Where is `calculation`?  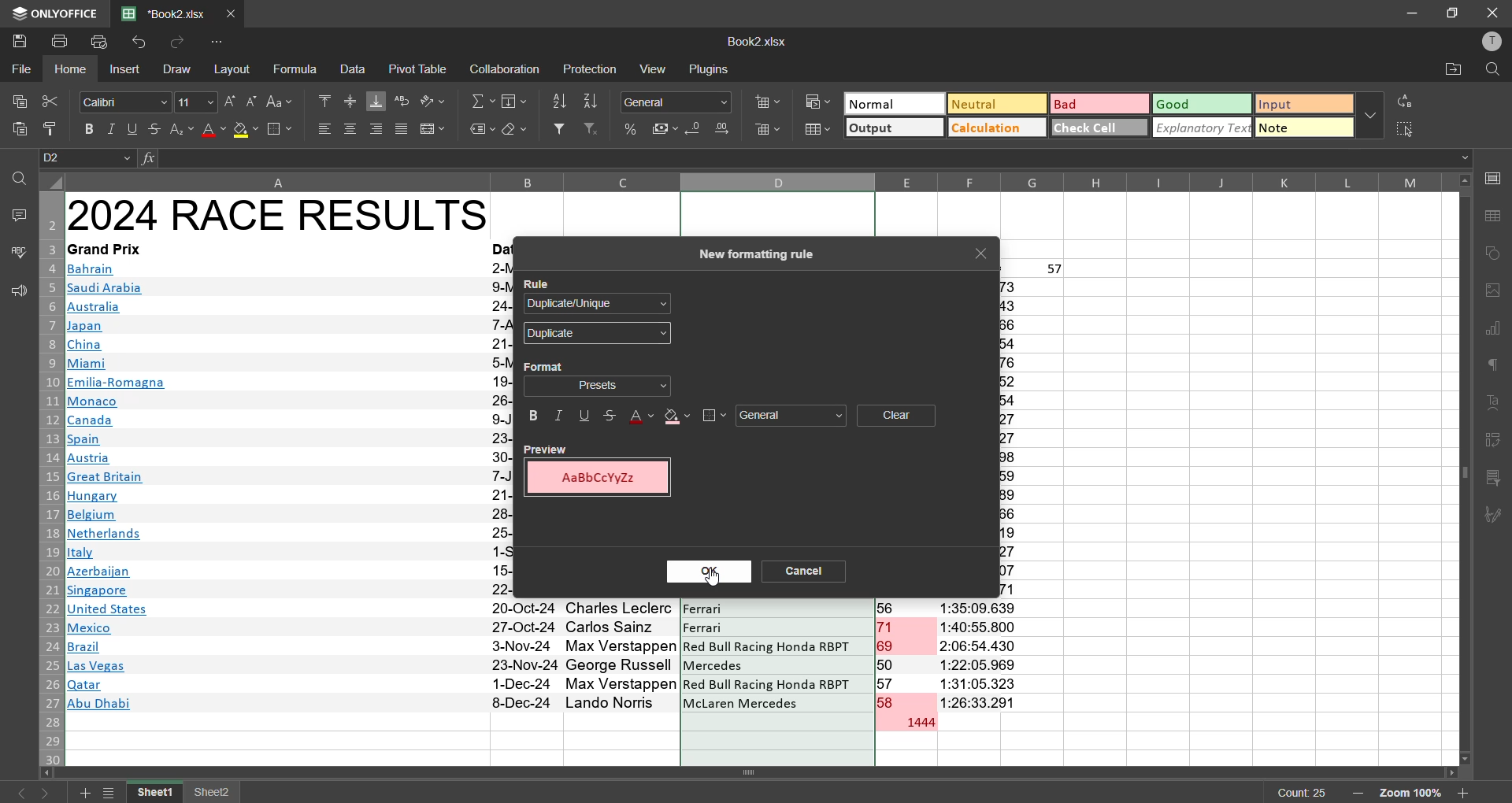 calculation is located at coordinates (993, 127).